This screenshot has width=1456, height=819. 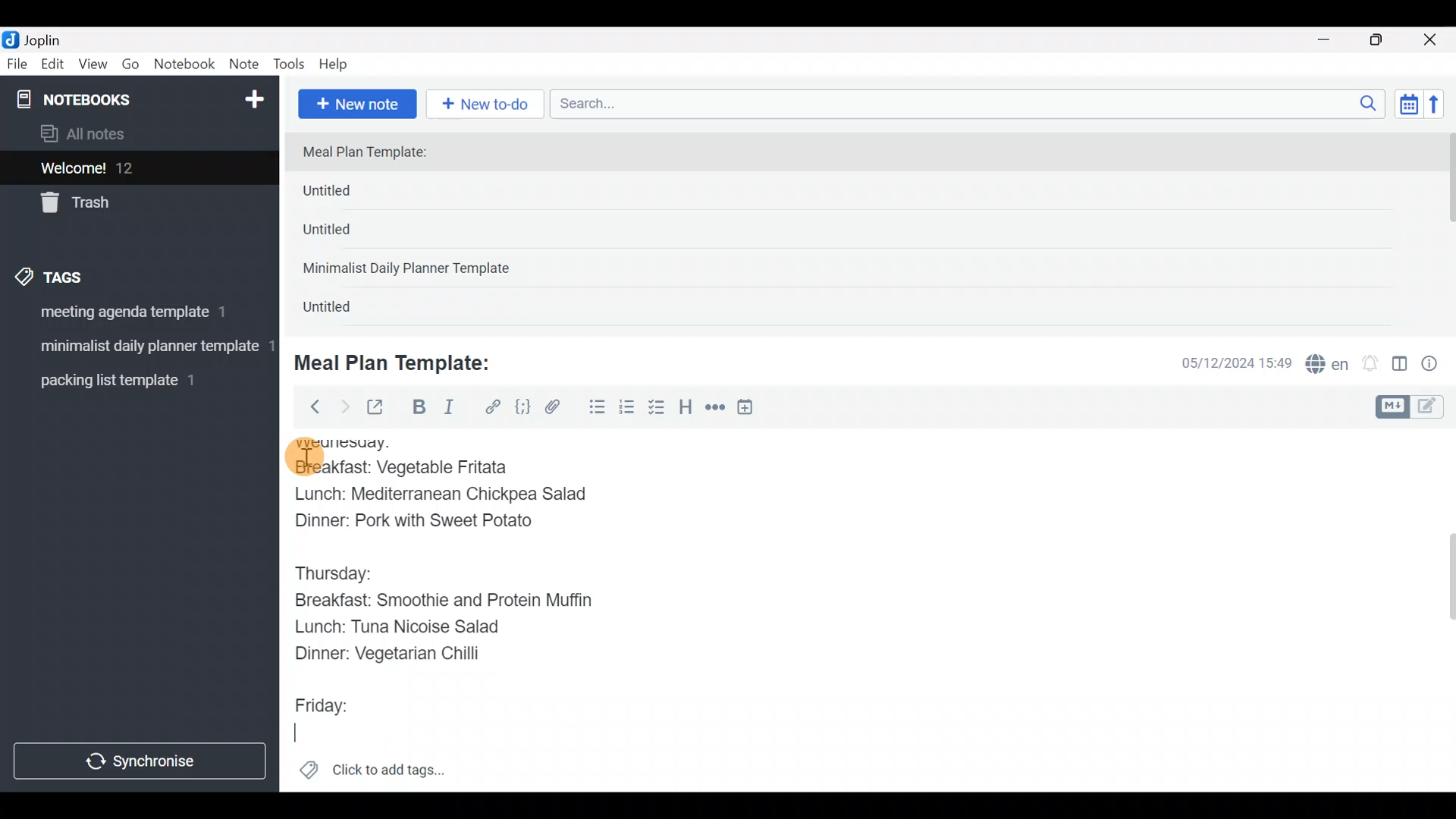 I want to click on Hyperlink, so click(x=493, y=407).